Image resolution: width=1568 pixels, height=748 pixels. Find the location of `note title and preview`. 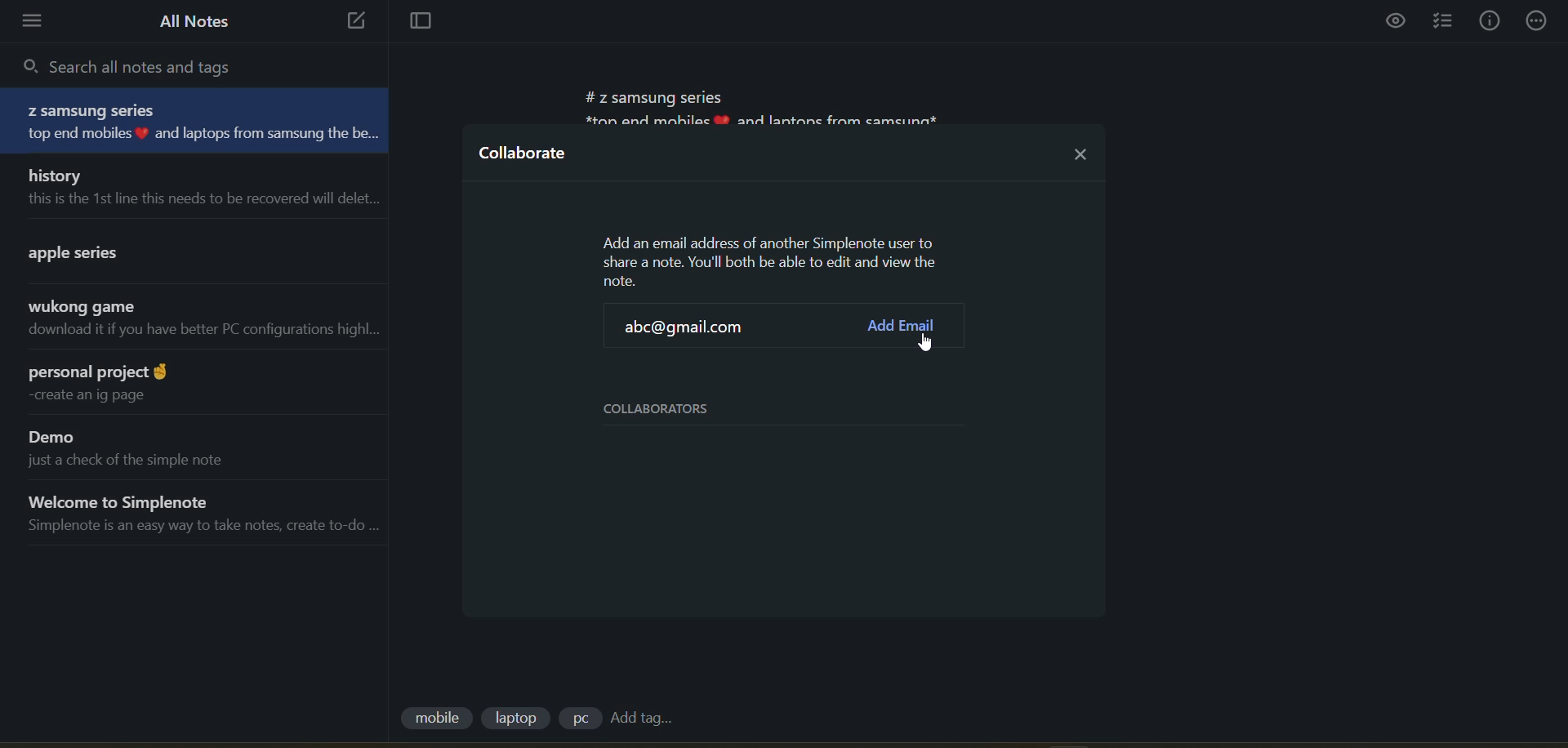

note title and preview is located at coordinates (194, 186).